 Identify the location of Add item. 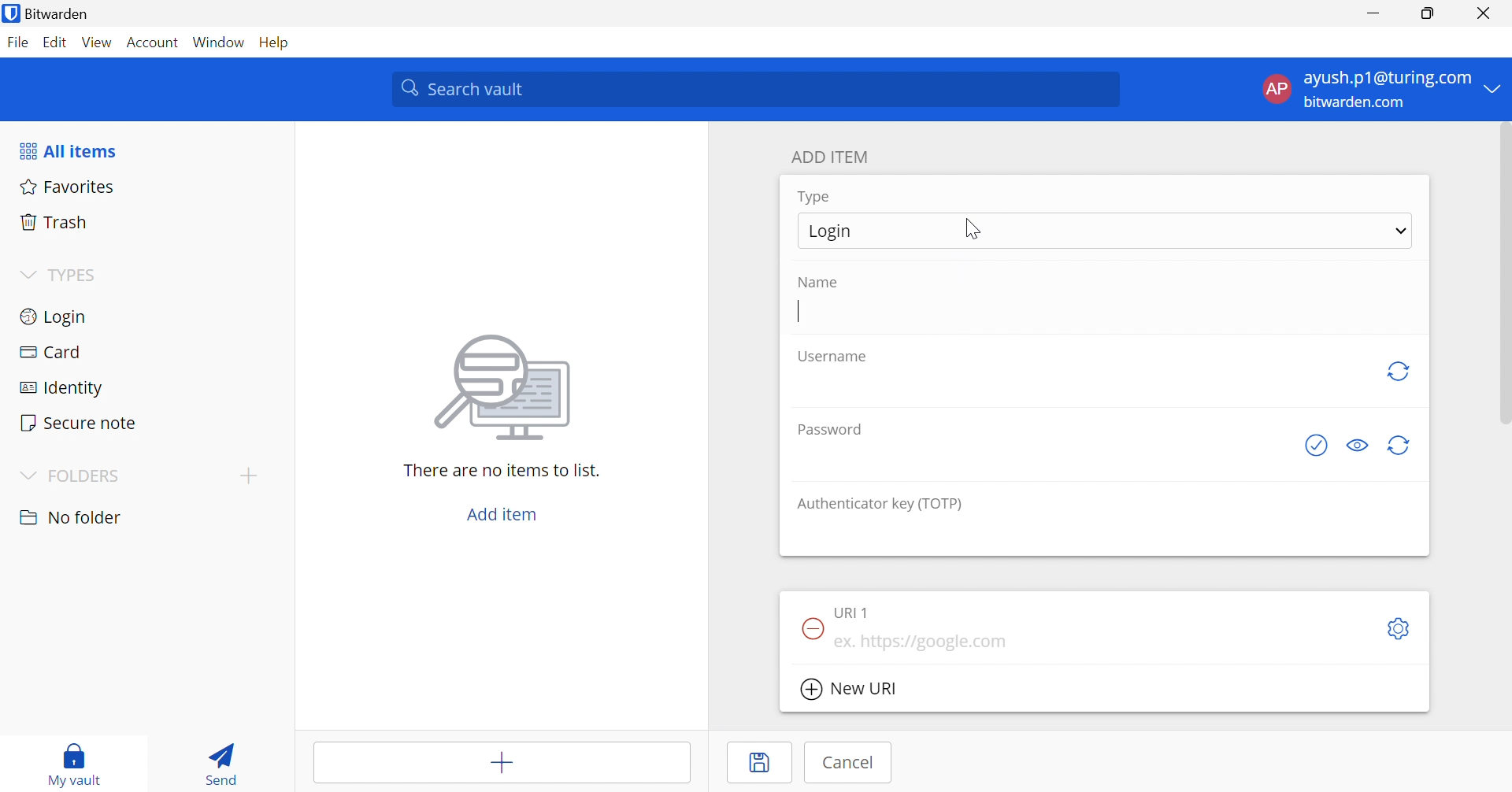
(502, 516).